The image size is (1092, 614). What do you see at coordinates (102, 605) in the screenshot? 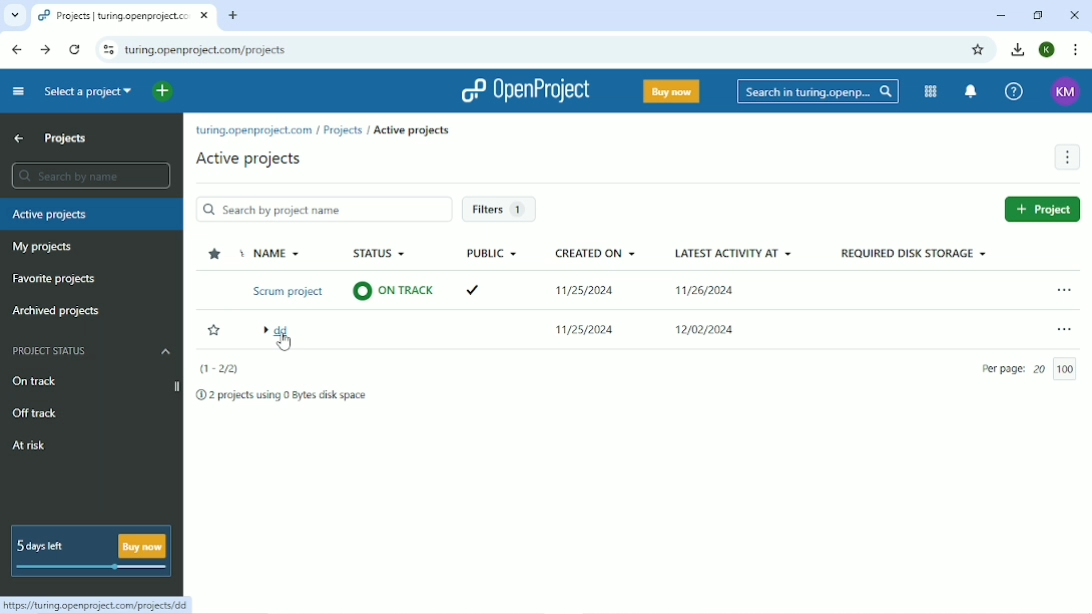
I see `Link` at bounding box center [102, 605].